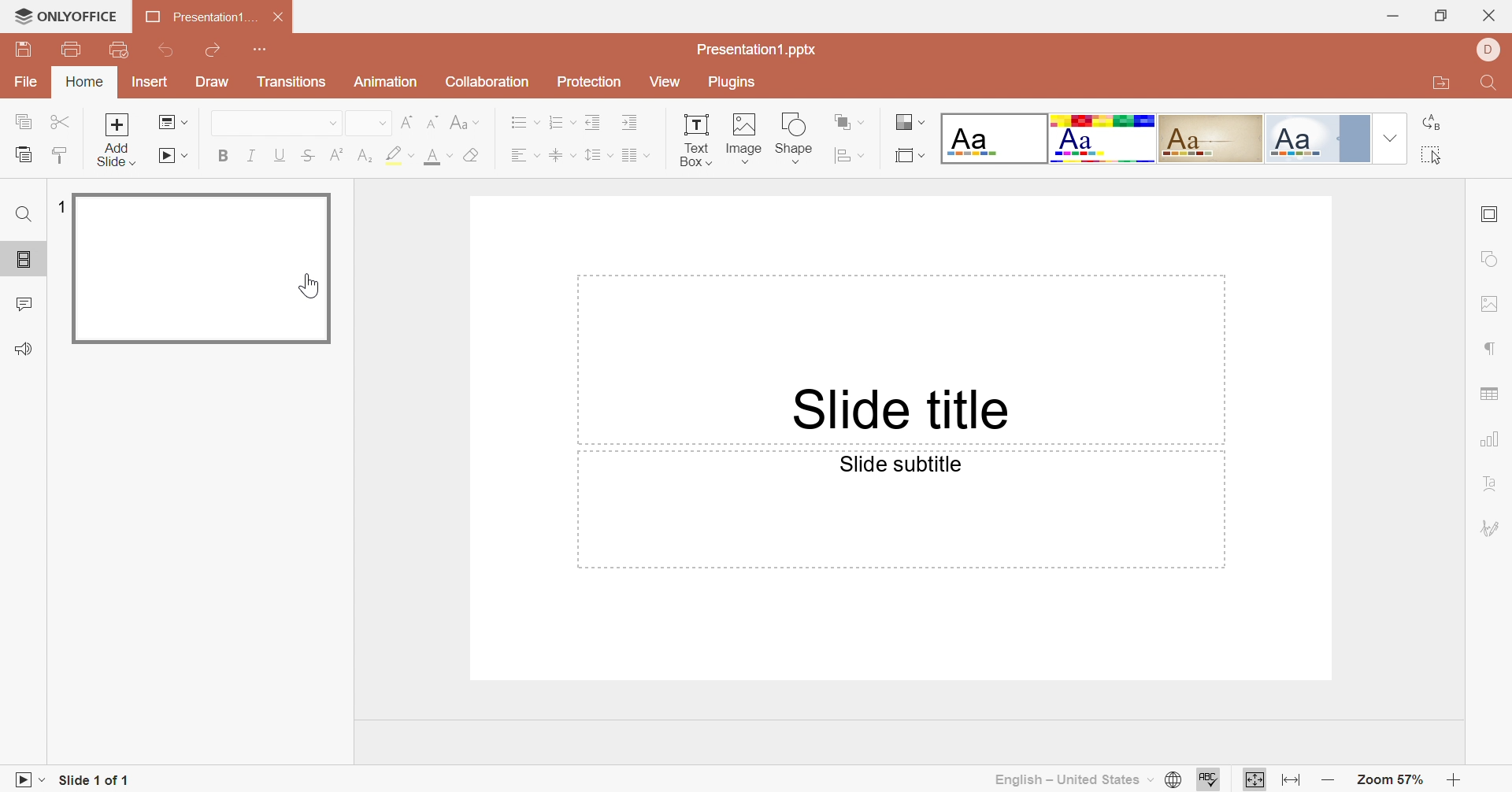 This screenshot has height=792, width=1512. I want to click on Quick Print, so click(119, 48).